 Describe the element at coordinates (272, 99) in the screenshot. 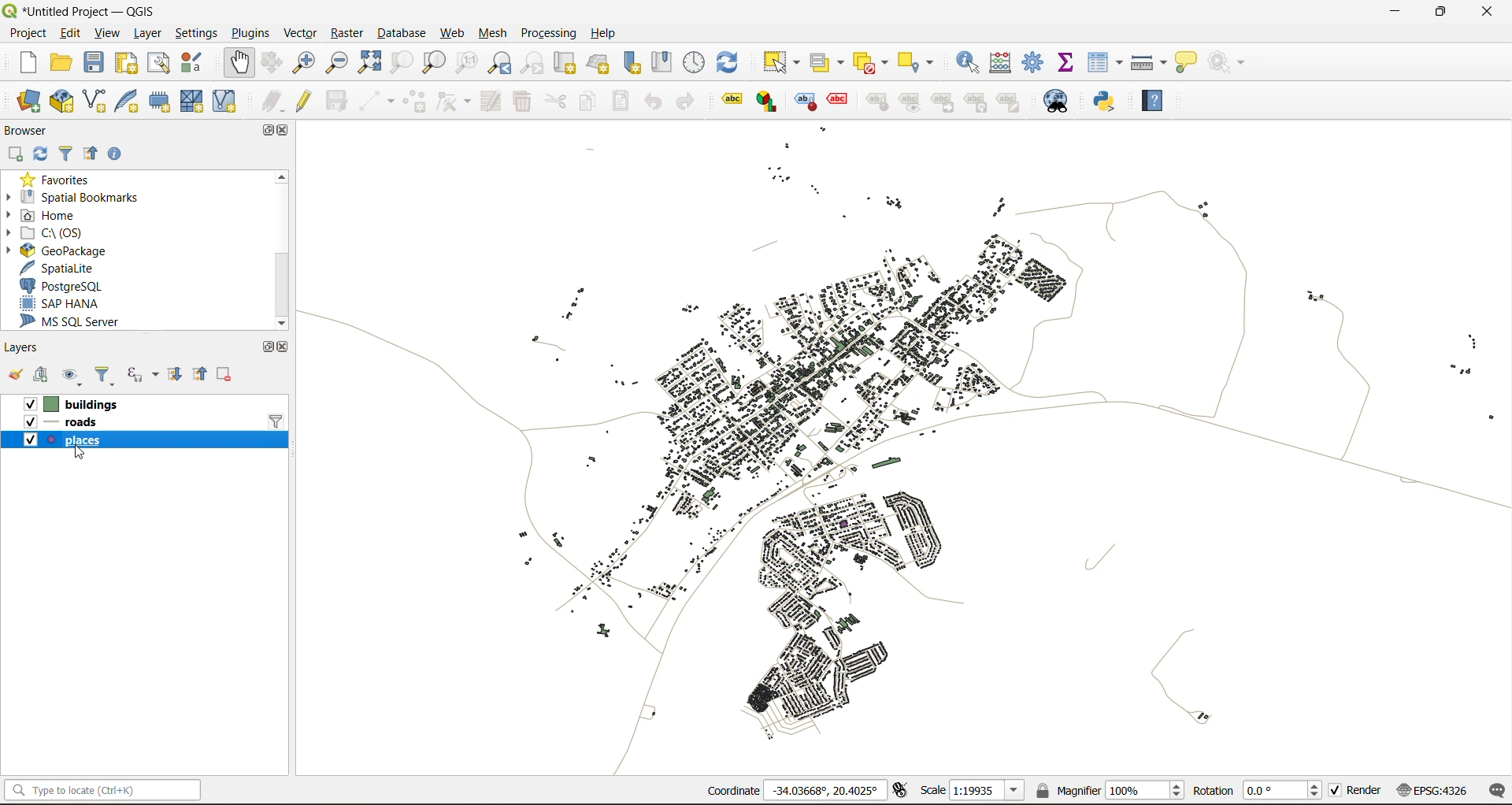

I see `edits` at that location.